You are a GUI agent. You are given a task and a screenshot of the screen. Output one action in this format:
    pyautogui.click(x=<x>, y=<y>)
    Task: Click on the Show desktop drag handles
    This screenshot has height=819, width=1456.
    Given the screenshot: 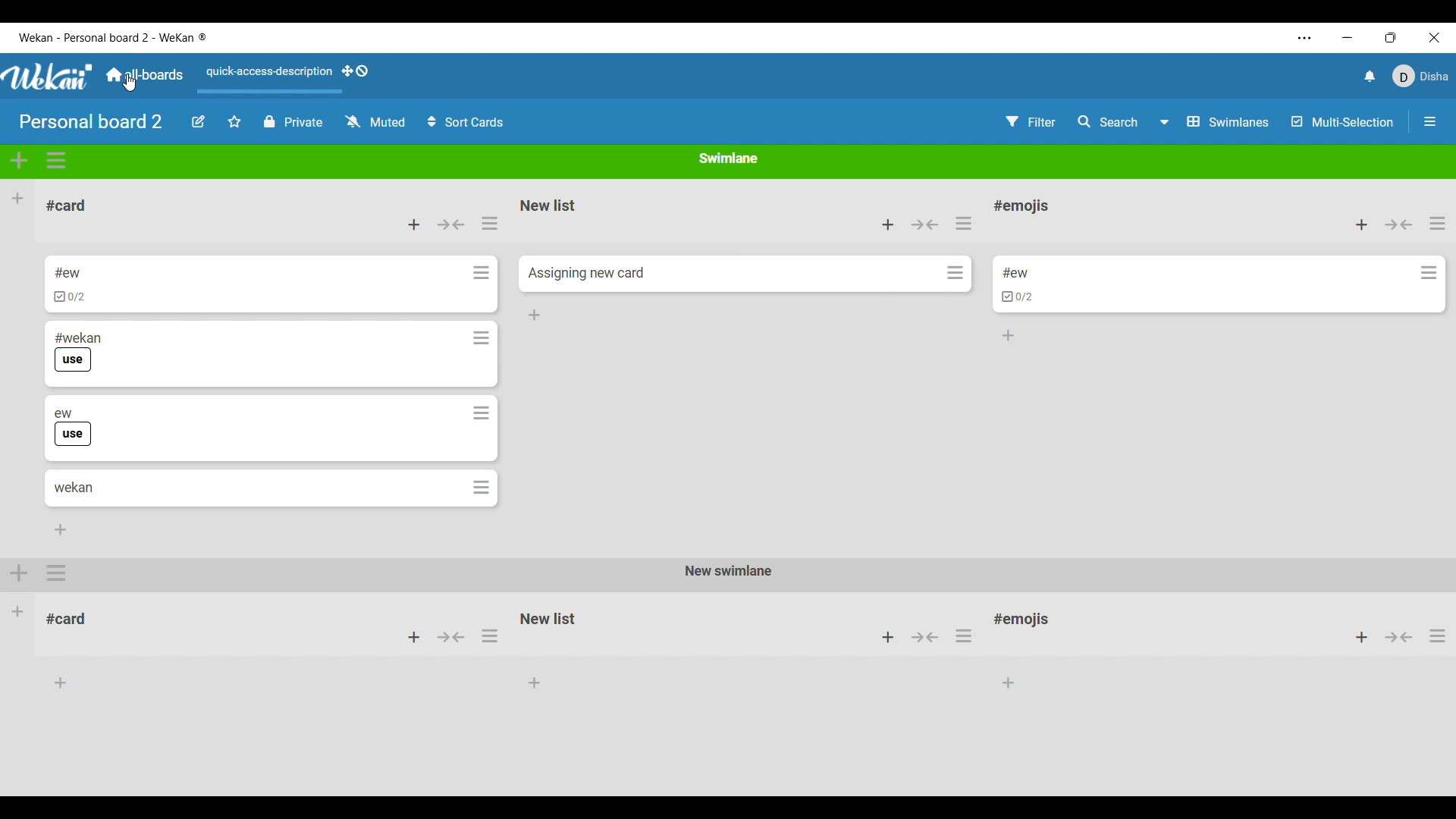 What is the action you would take?
    pyautogui.click(x=355, y=71)
    